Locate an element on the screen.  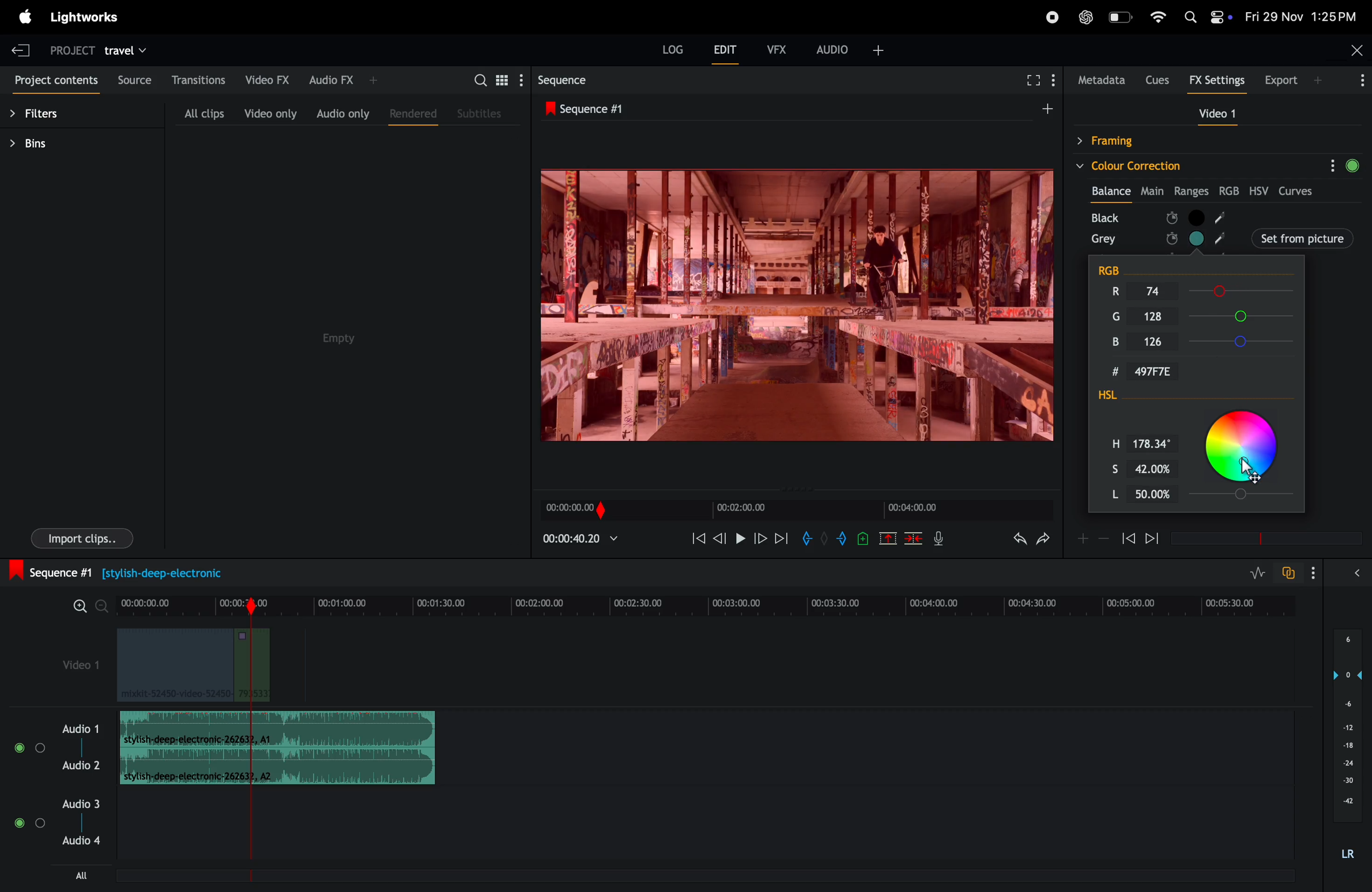
#  is located at coordinates (1102, 373).